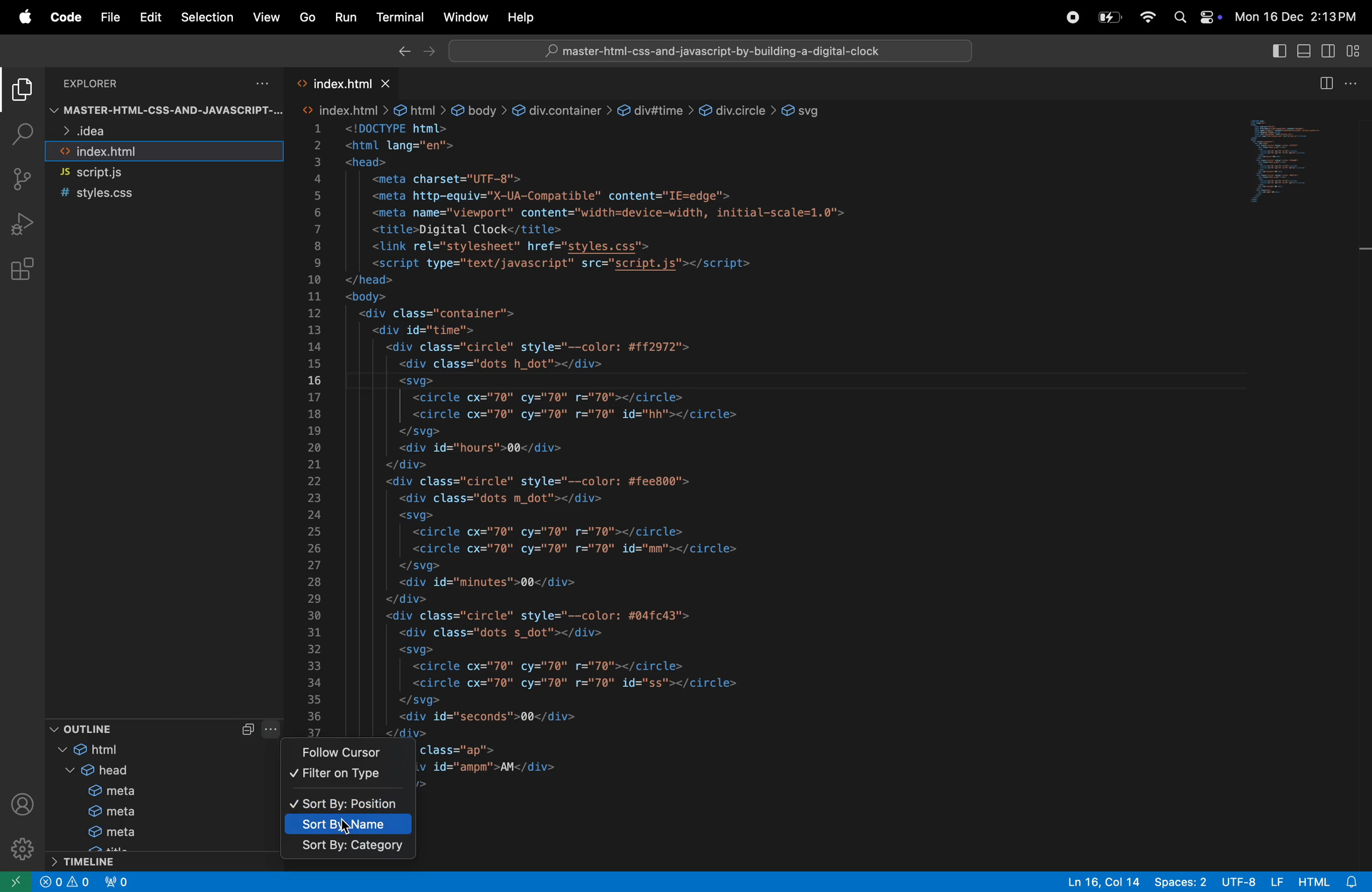  Describe the element at coordinates (523, 17) in the screenshot. I see `help` at that location.